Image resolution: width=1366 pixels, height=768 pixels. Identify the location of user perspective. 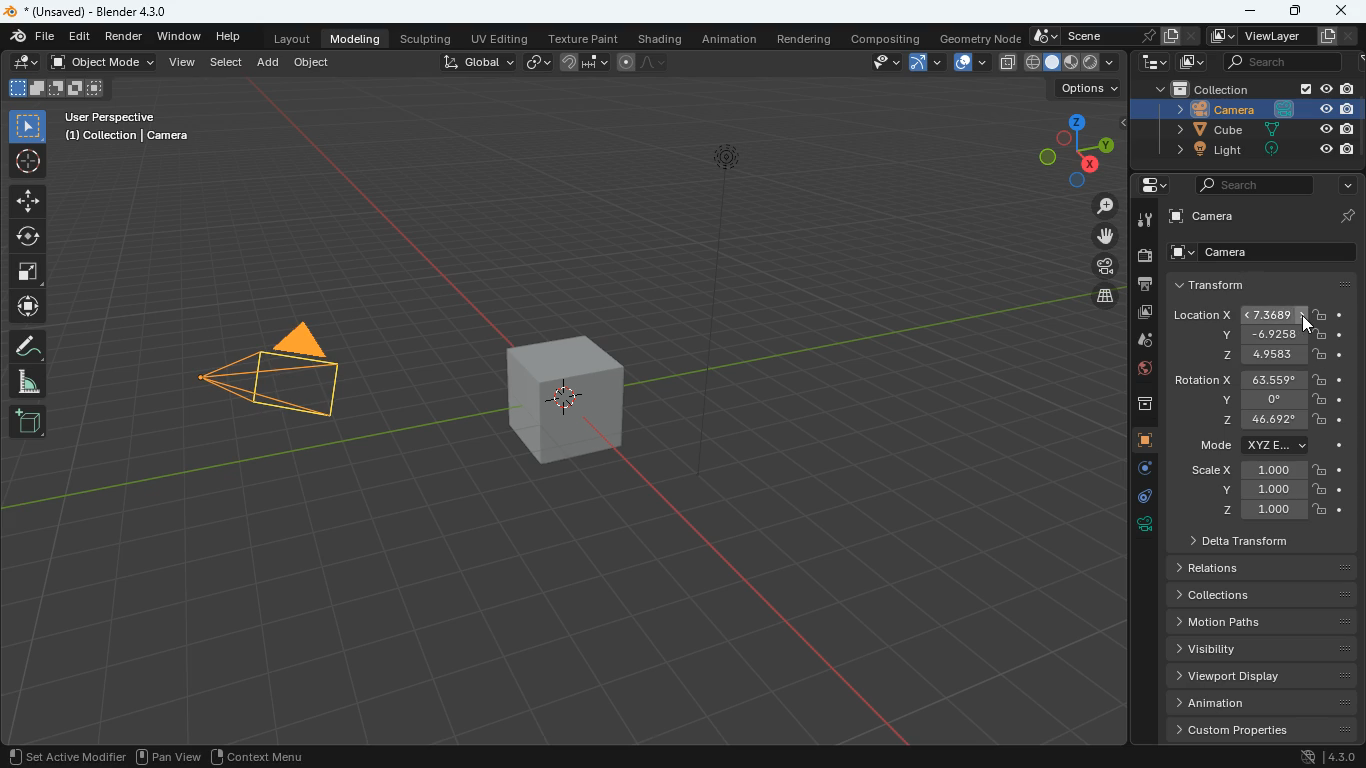
(125, 130).